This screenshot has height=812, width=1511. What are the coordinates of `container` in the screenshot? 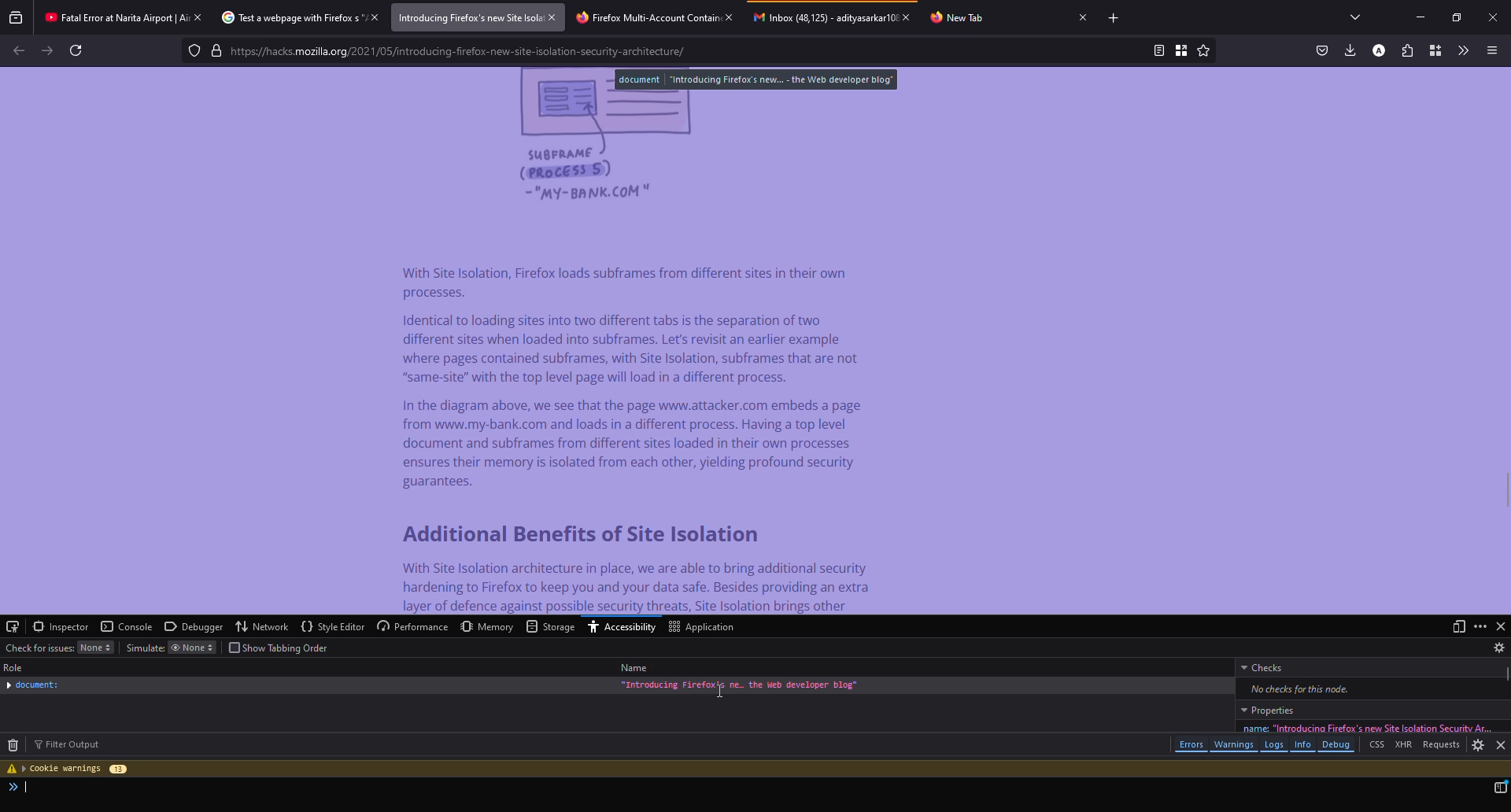 It's located at (1435, 50).